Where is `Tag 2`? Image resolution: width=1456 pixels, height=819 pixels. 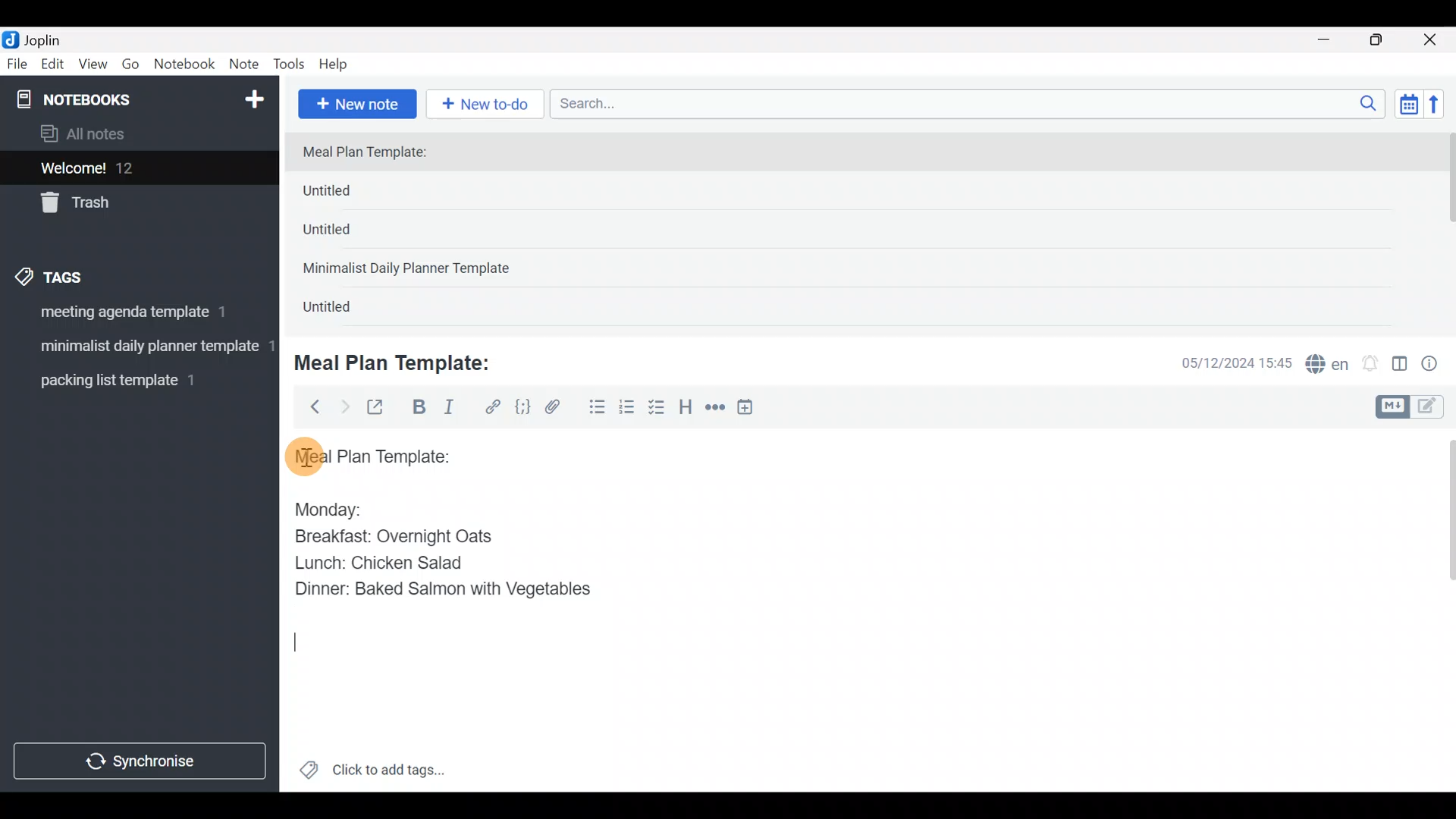 Tag 2 is located at coordinates (139, 348).